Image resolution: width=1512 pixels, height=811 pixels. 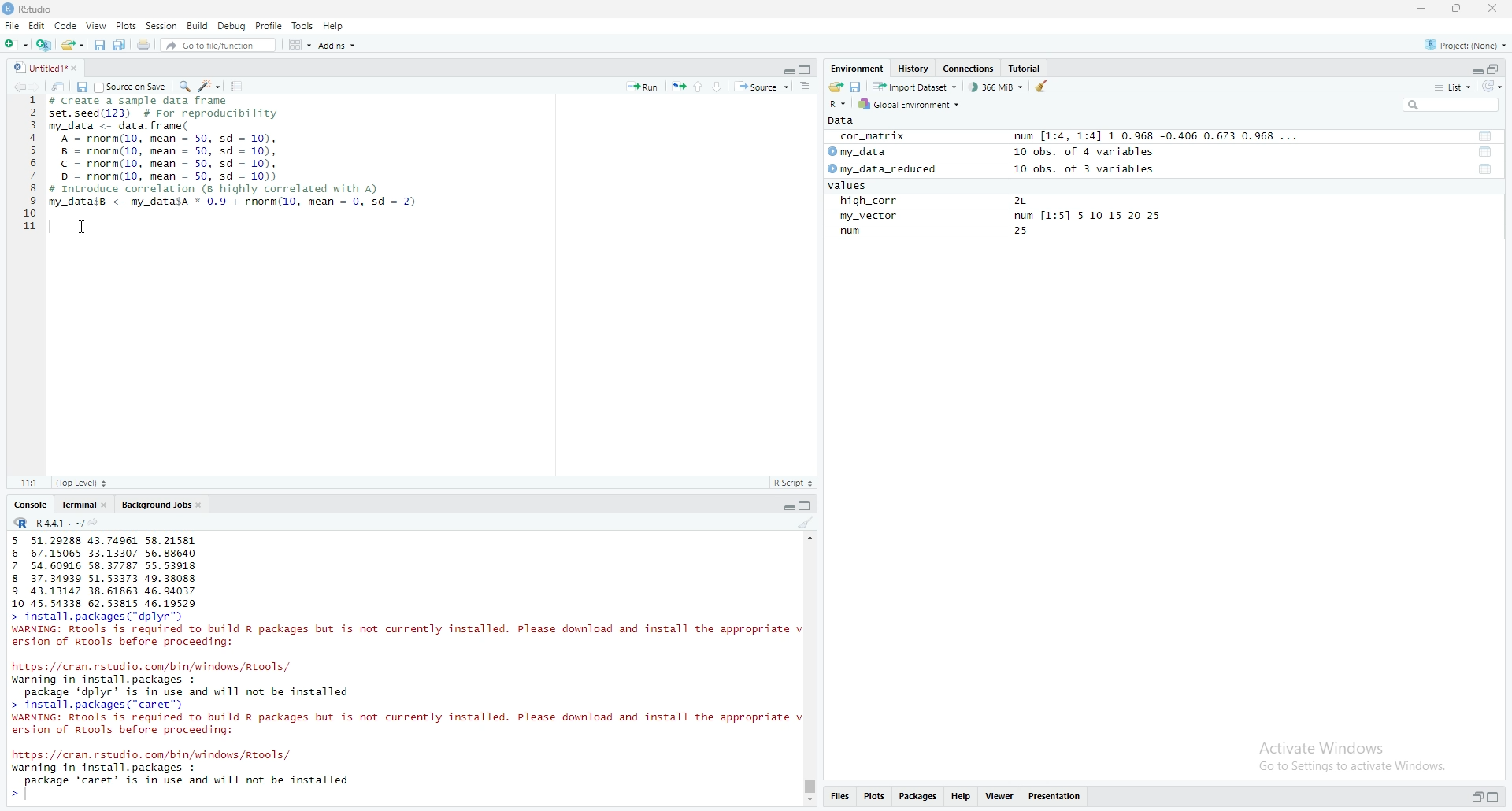 What do you see at coordinates (699, 87) in the screenshot?
I see `up` at bounding box center [699, 87].